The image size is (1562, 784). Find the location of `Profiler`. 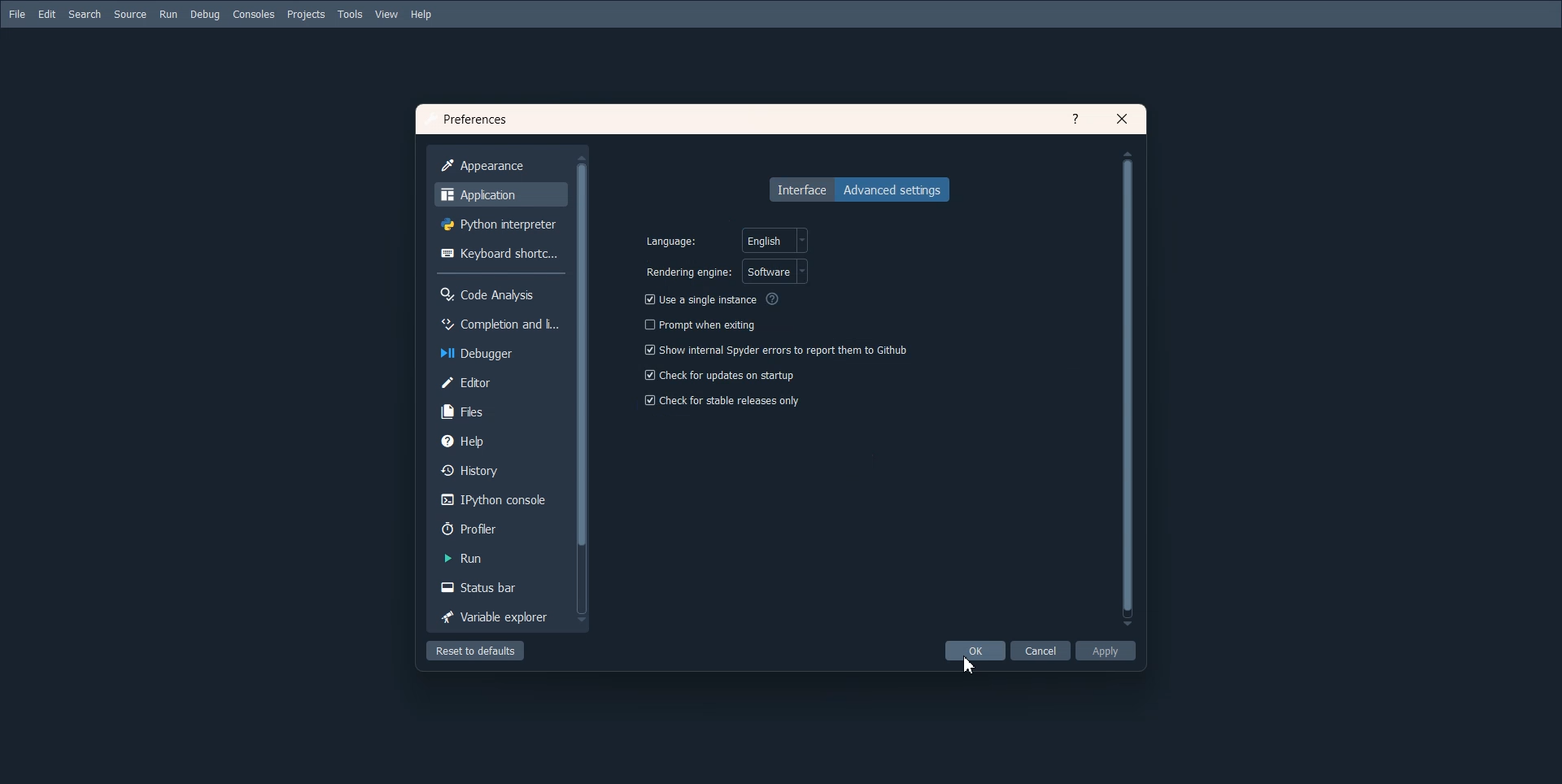

Profiler is located at coordinates (498, 527).